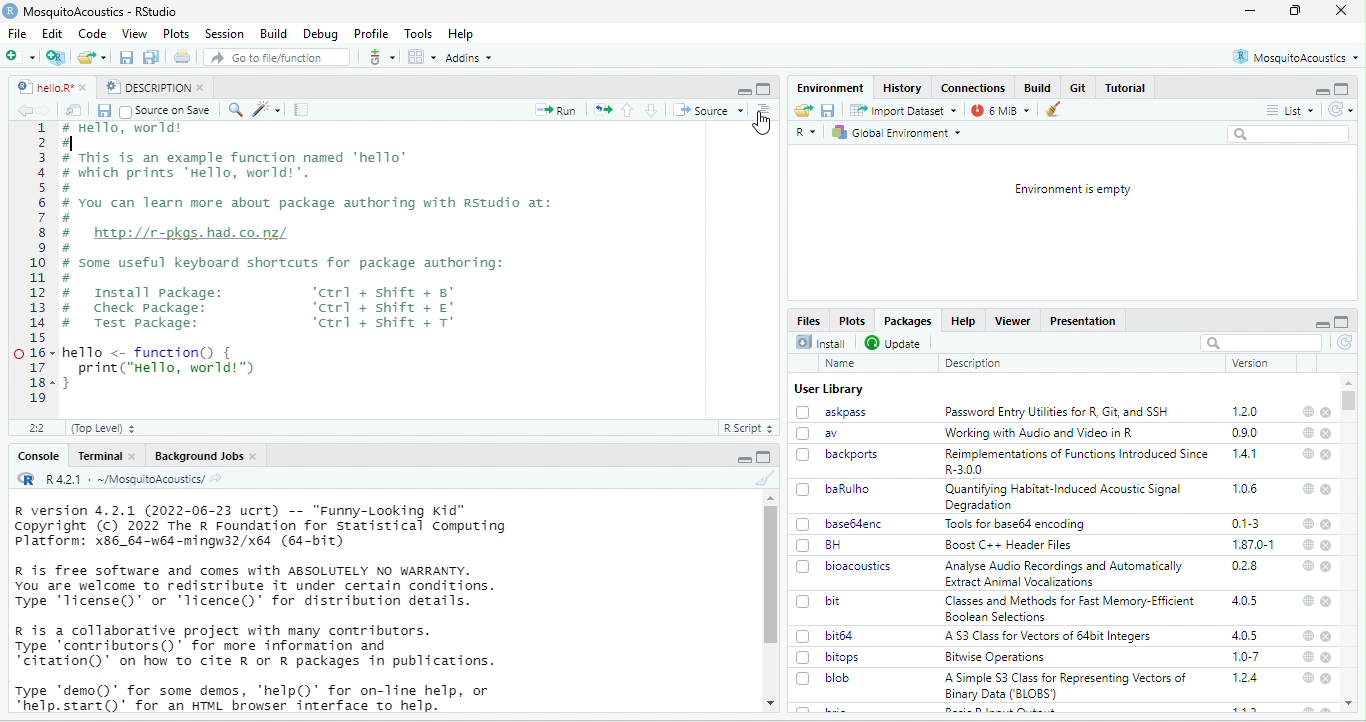  I want to click on Search bar, so click(1290, 134).